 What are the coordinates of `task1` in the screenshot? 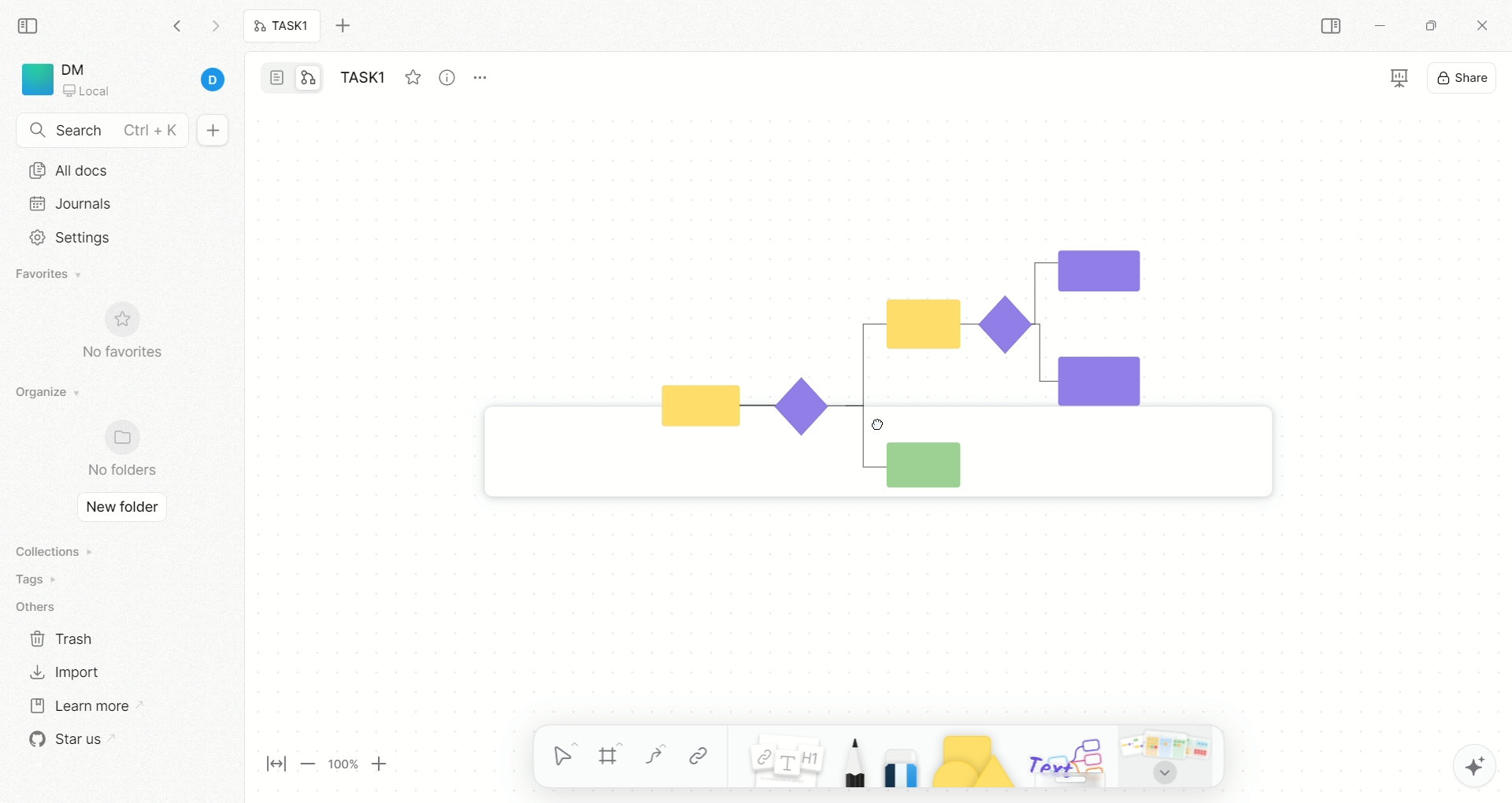 It's located at (367, 80).